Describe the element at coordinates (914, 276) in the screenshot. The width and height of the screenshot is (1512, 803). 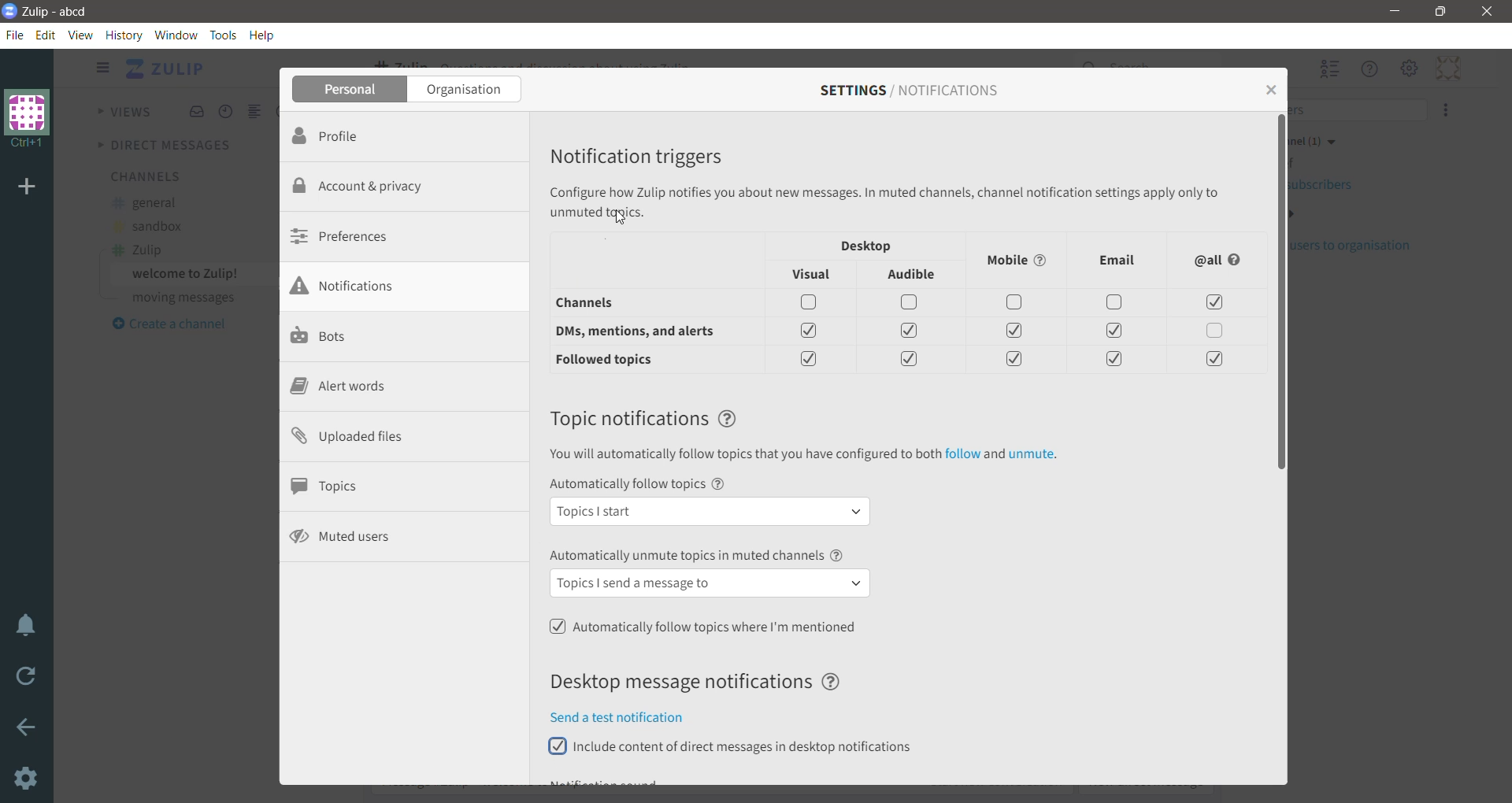
I see `audible` at that location.